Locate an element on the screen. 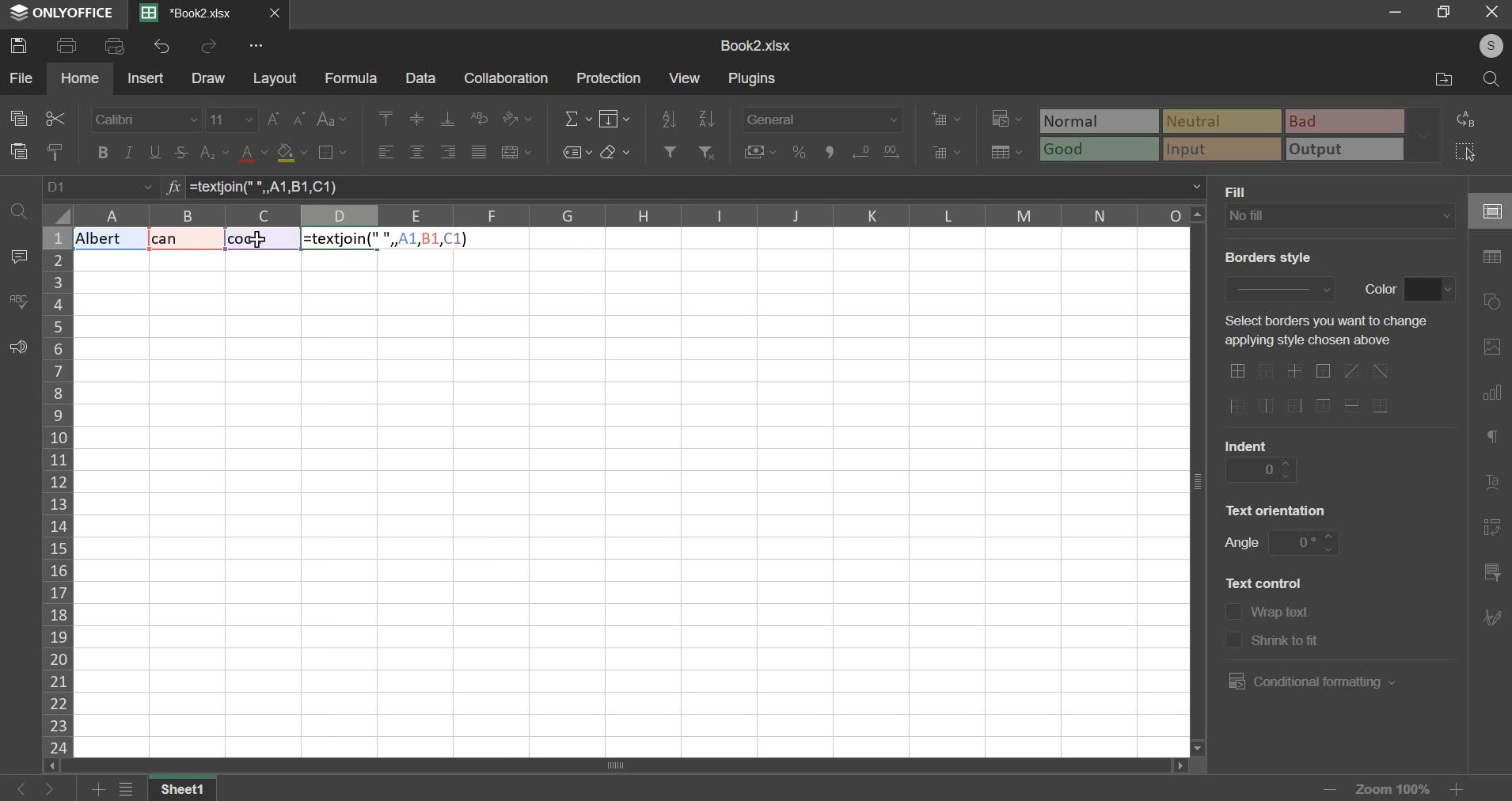 Image resolution: width=1512 pixels, height=801 pixels. font size change is located at coordinates (288, 119).